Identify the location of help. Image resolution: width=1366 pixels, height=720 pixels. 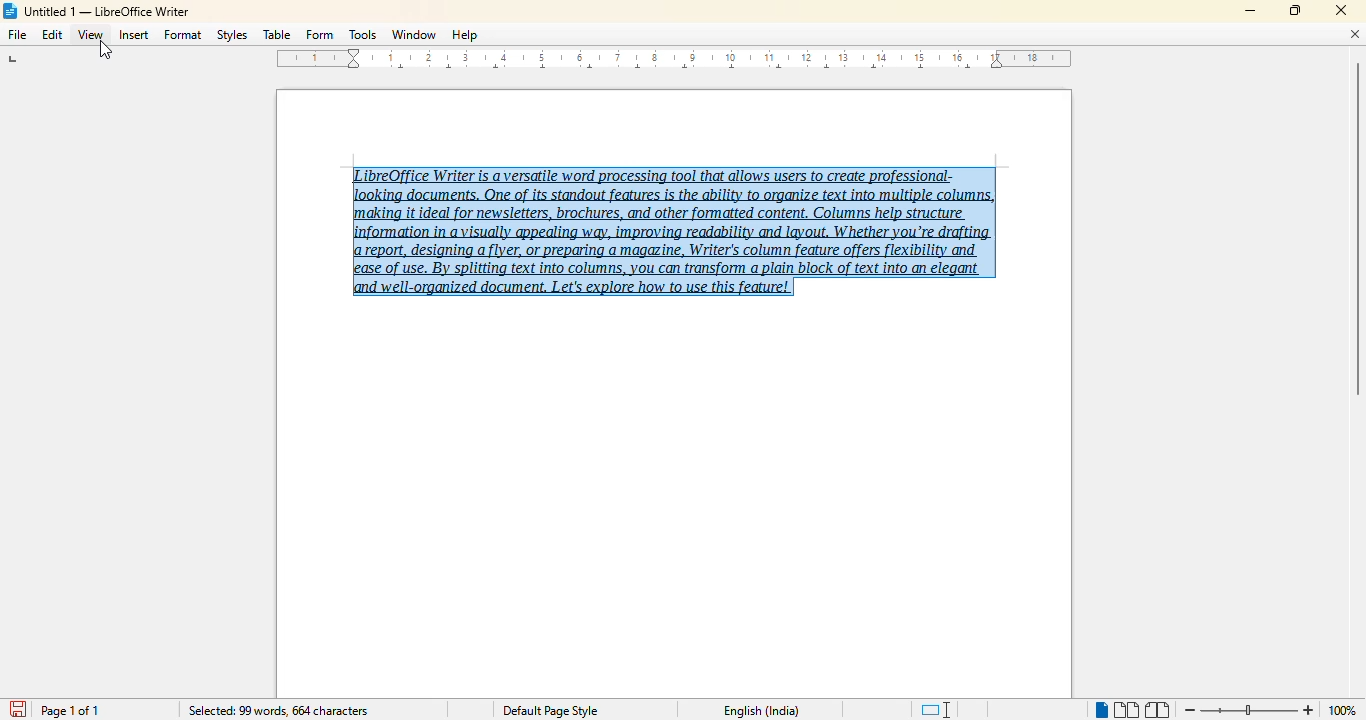
(465, 35).